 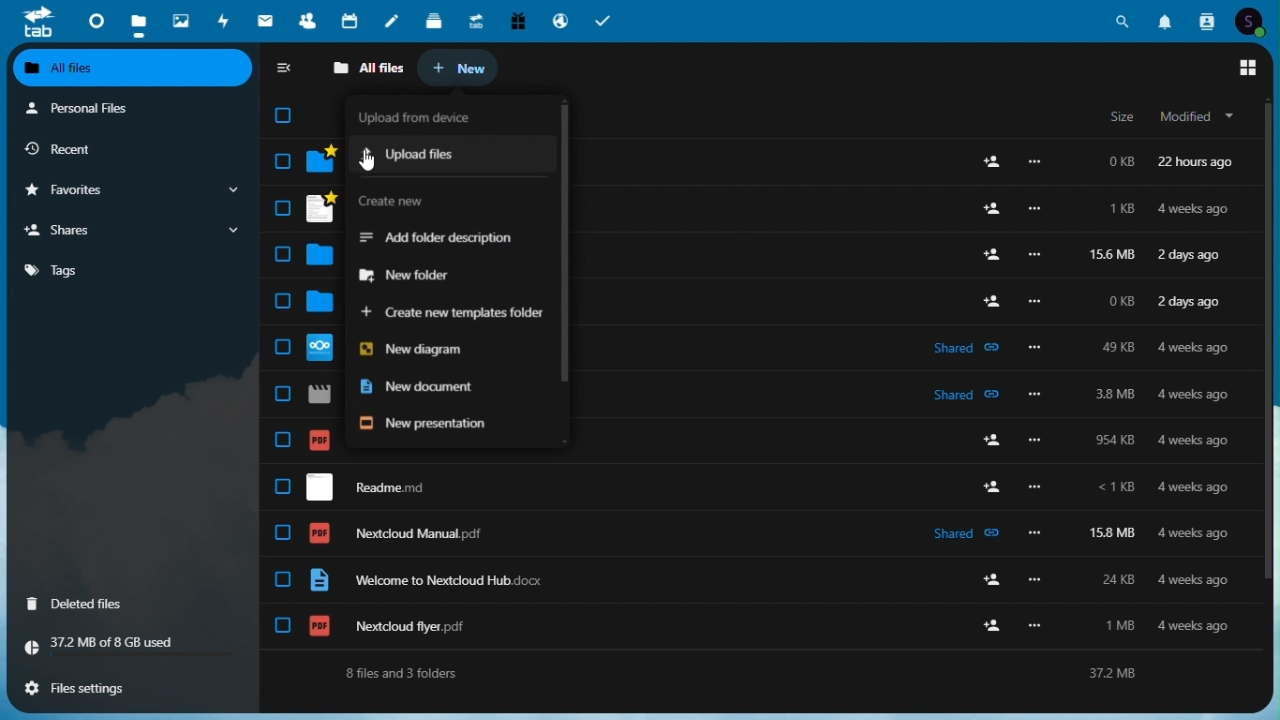 What do you see at coordinates (992, 486) in the screenshot?
I see `add user` at bounding box center [992, 486].